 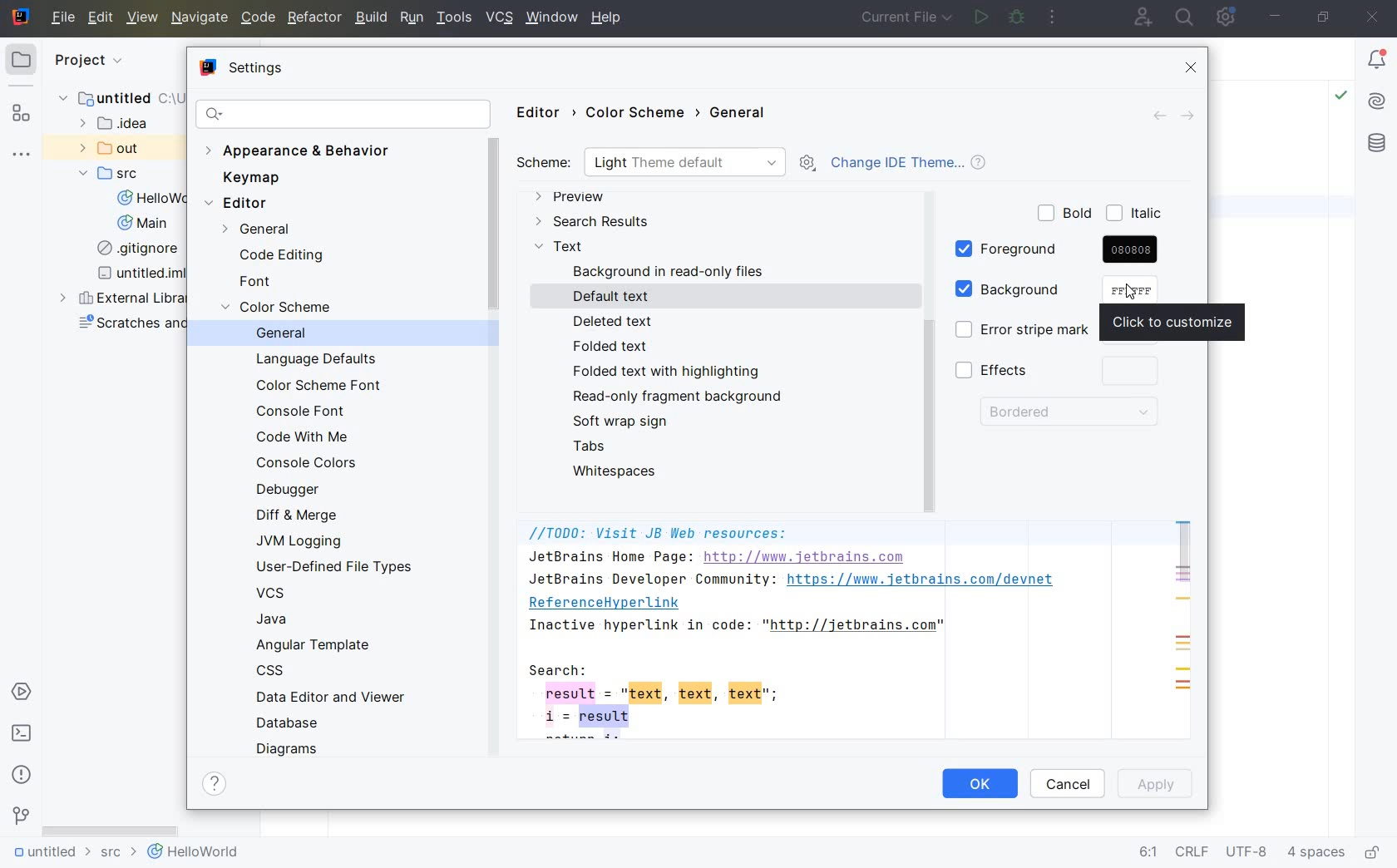 I want to click on system name, so click(x=20, y=17).